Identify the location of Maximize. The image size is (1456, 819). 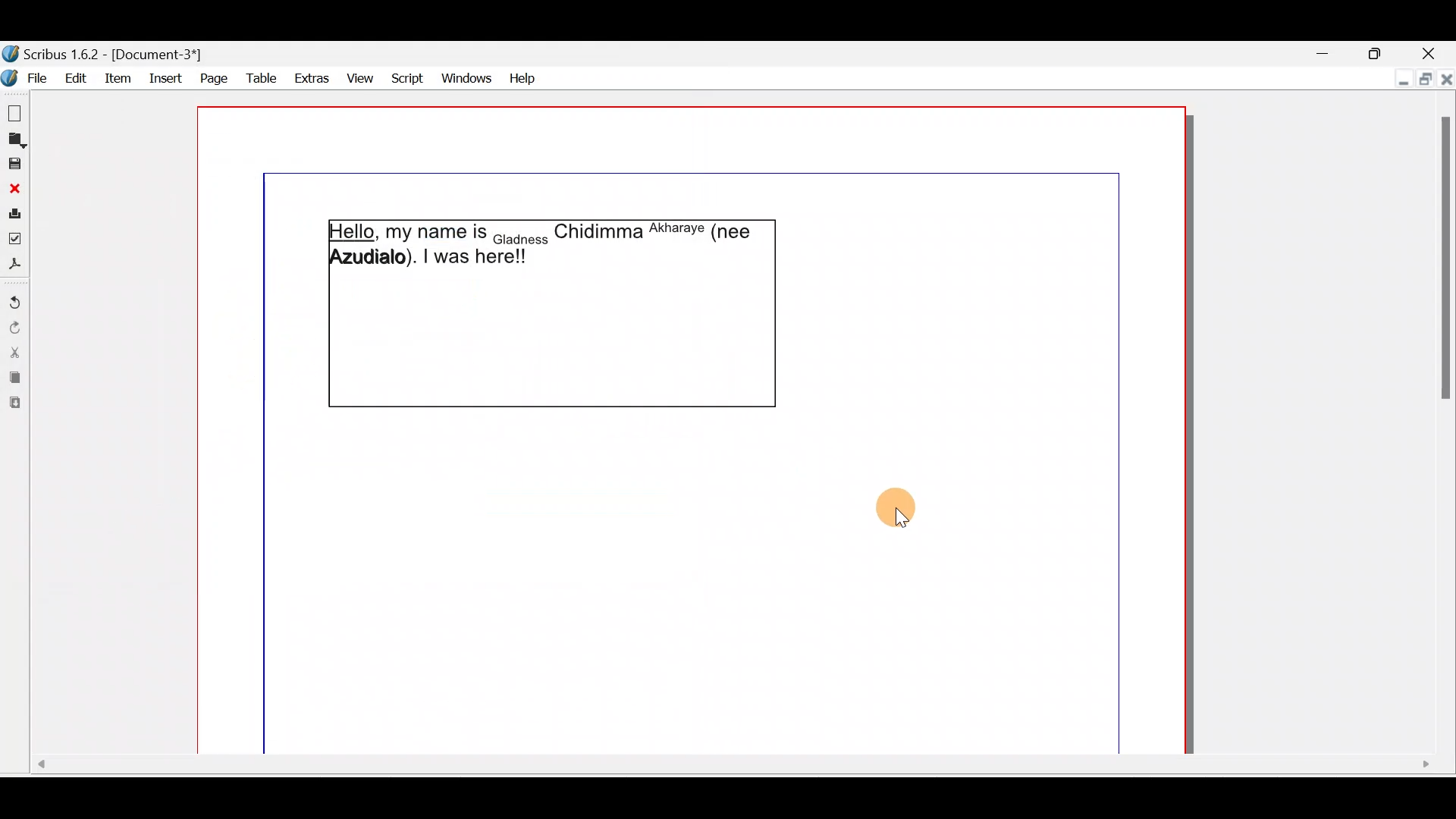
(1423, 81).